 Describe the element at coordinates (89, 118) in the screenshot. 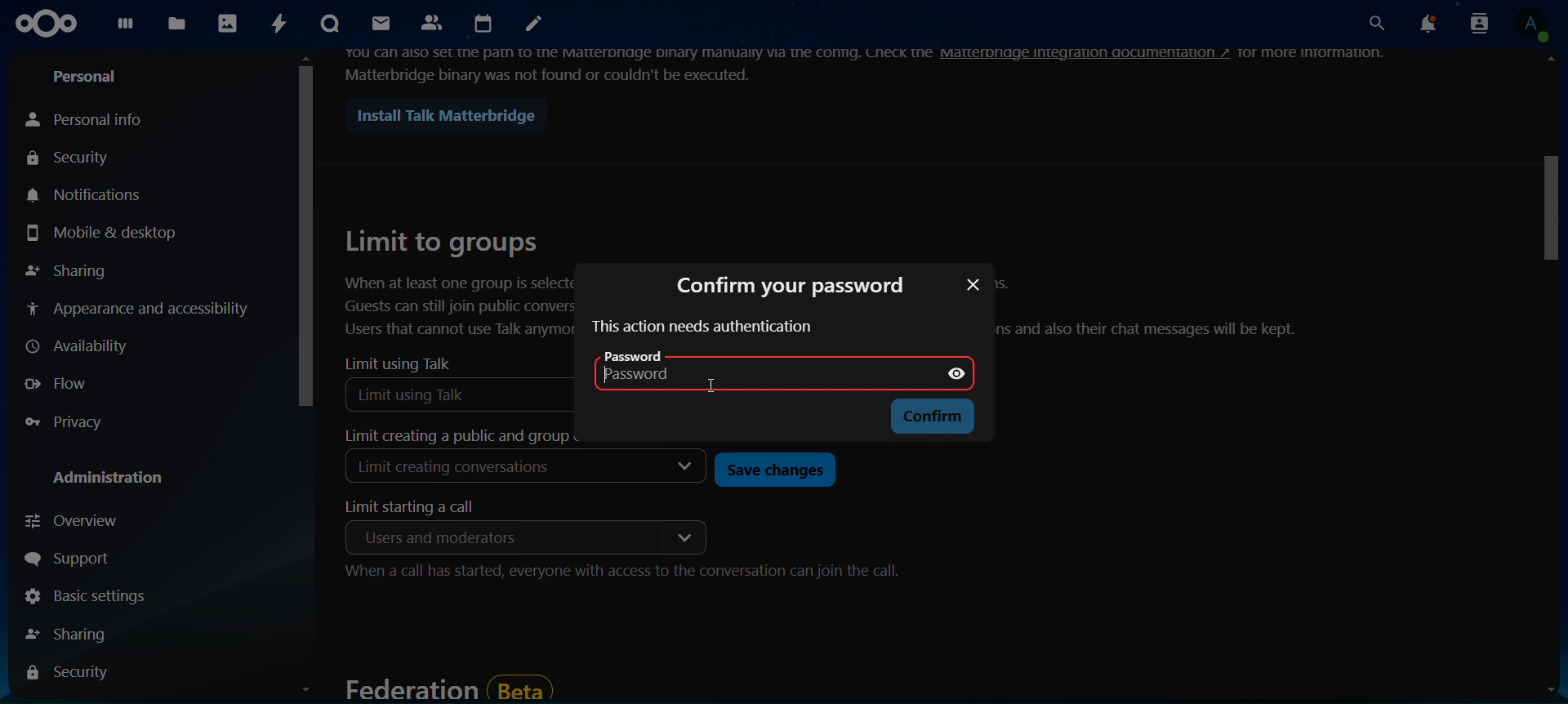

I see `personal info` at that location.